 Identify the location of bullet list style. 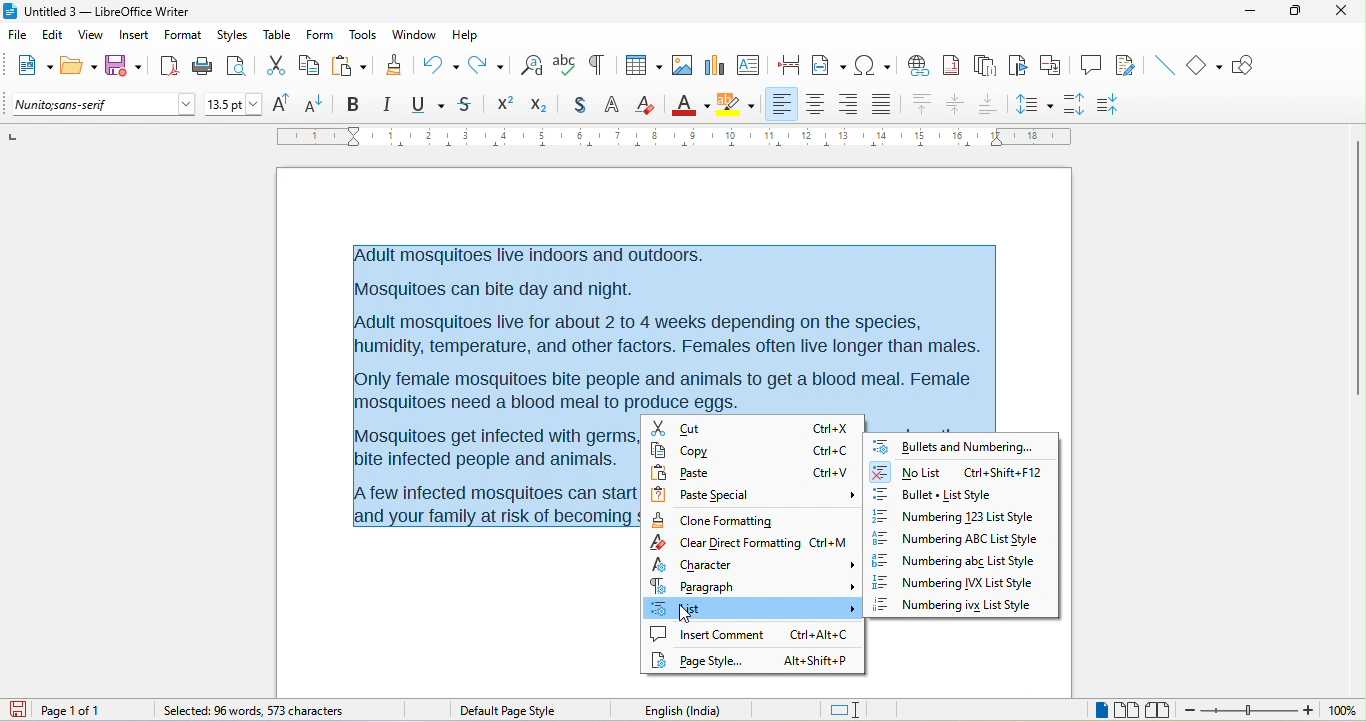
(961, 494).